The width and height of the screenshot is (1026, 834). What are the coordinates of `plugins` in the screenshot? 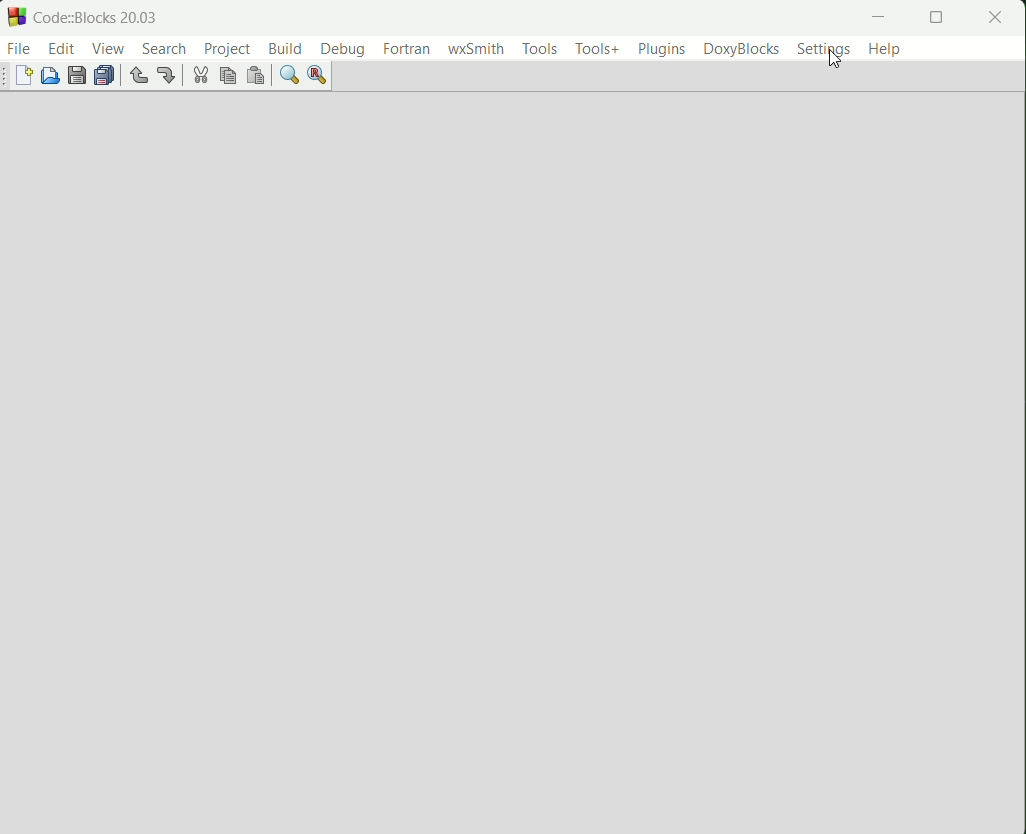 It's located at (661, 50).